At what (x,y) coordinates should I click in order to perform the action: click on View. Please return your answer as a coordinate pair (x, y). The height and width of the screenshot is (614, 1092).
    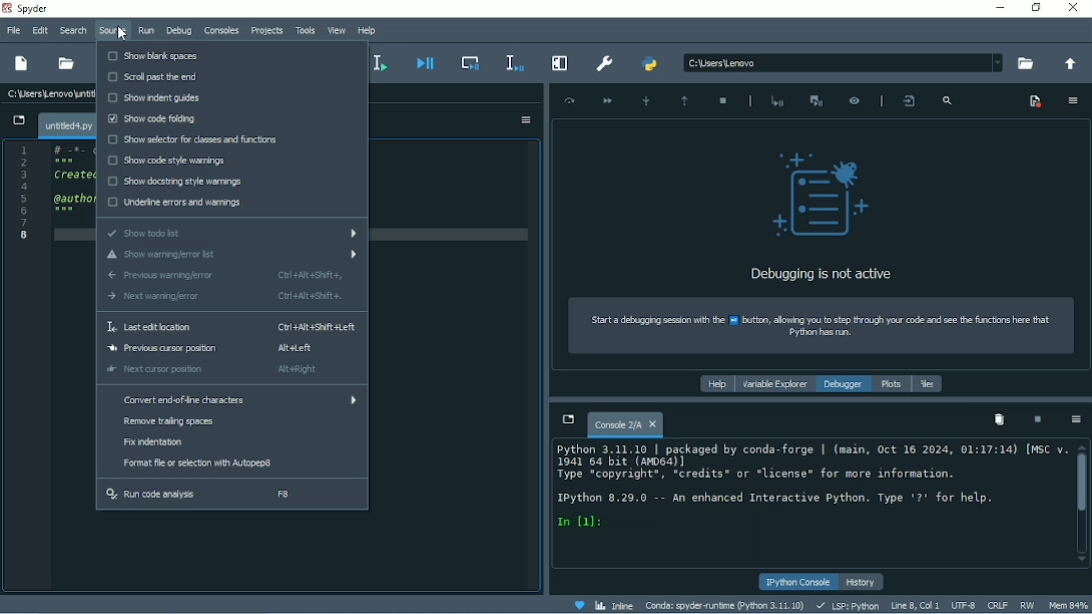
    Looking at the image, I should click on (336, 30).